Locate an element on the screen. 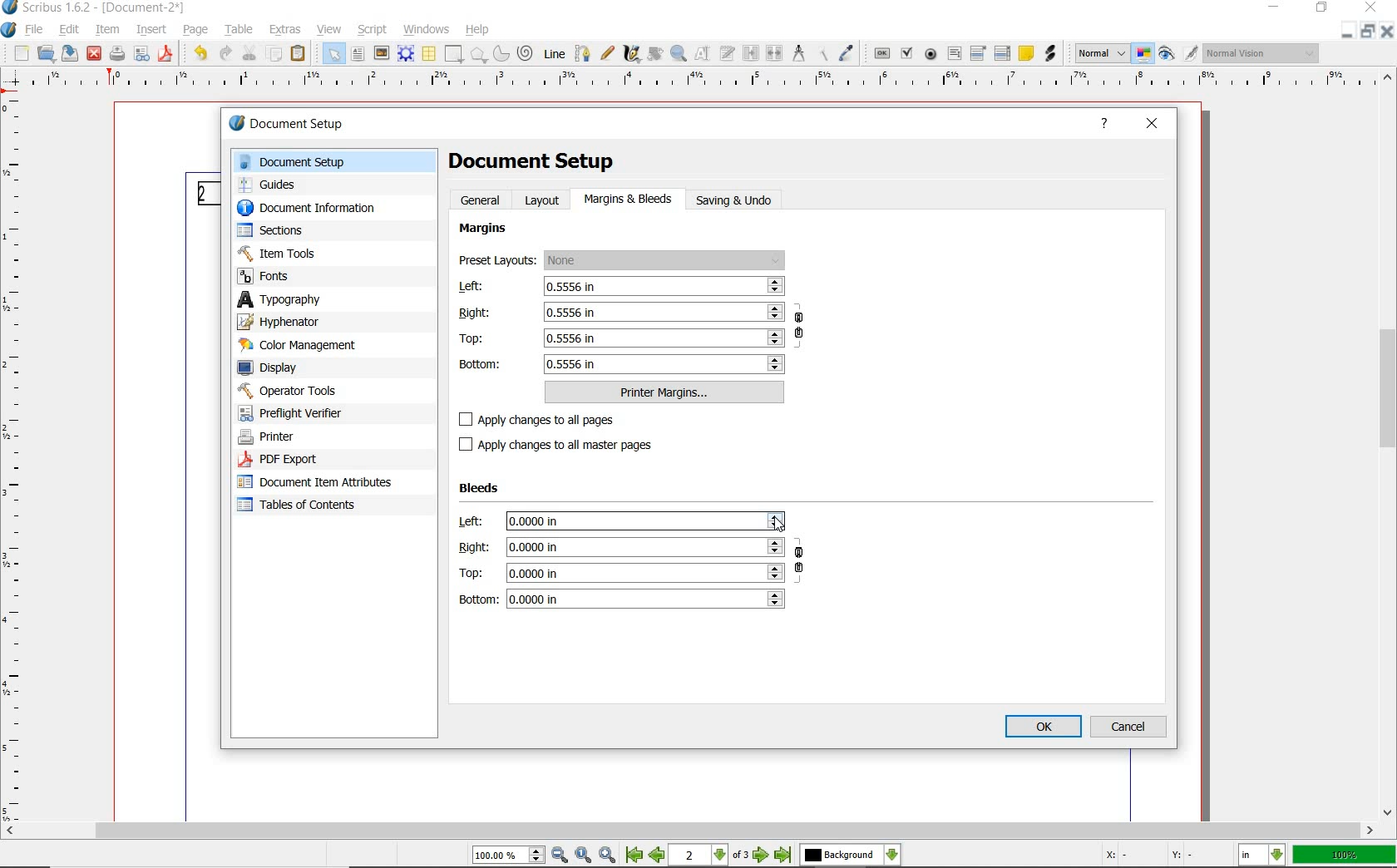  close is located at coordinates (94, 53).